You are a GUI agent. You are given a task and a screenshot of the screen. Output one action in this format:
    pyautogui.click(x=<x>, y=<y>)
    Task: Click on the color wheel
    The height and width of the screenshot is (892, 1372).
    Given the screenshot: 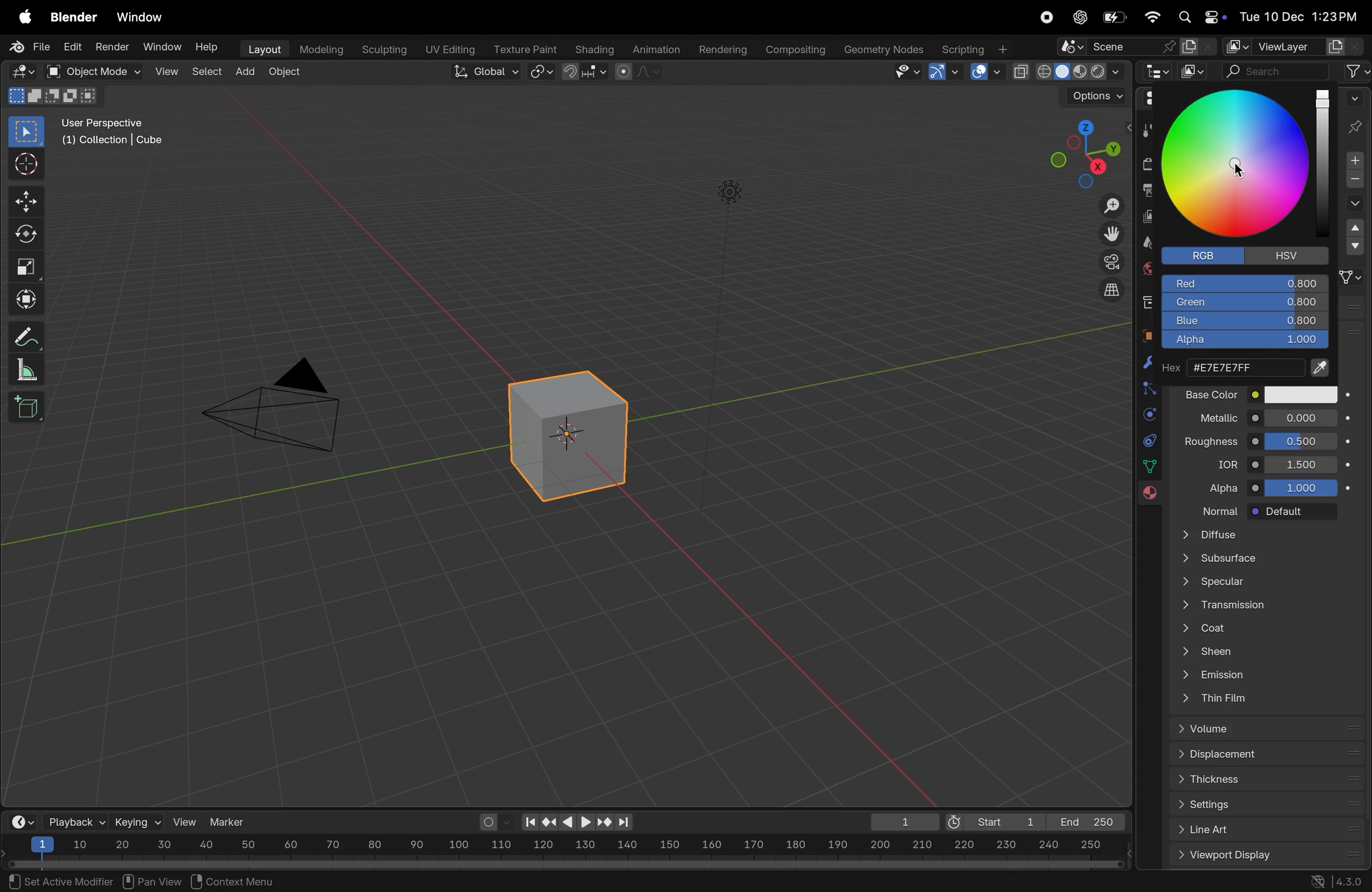 What is the action you would take?
    pyautogui.click(x=1237, y=163)
    